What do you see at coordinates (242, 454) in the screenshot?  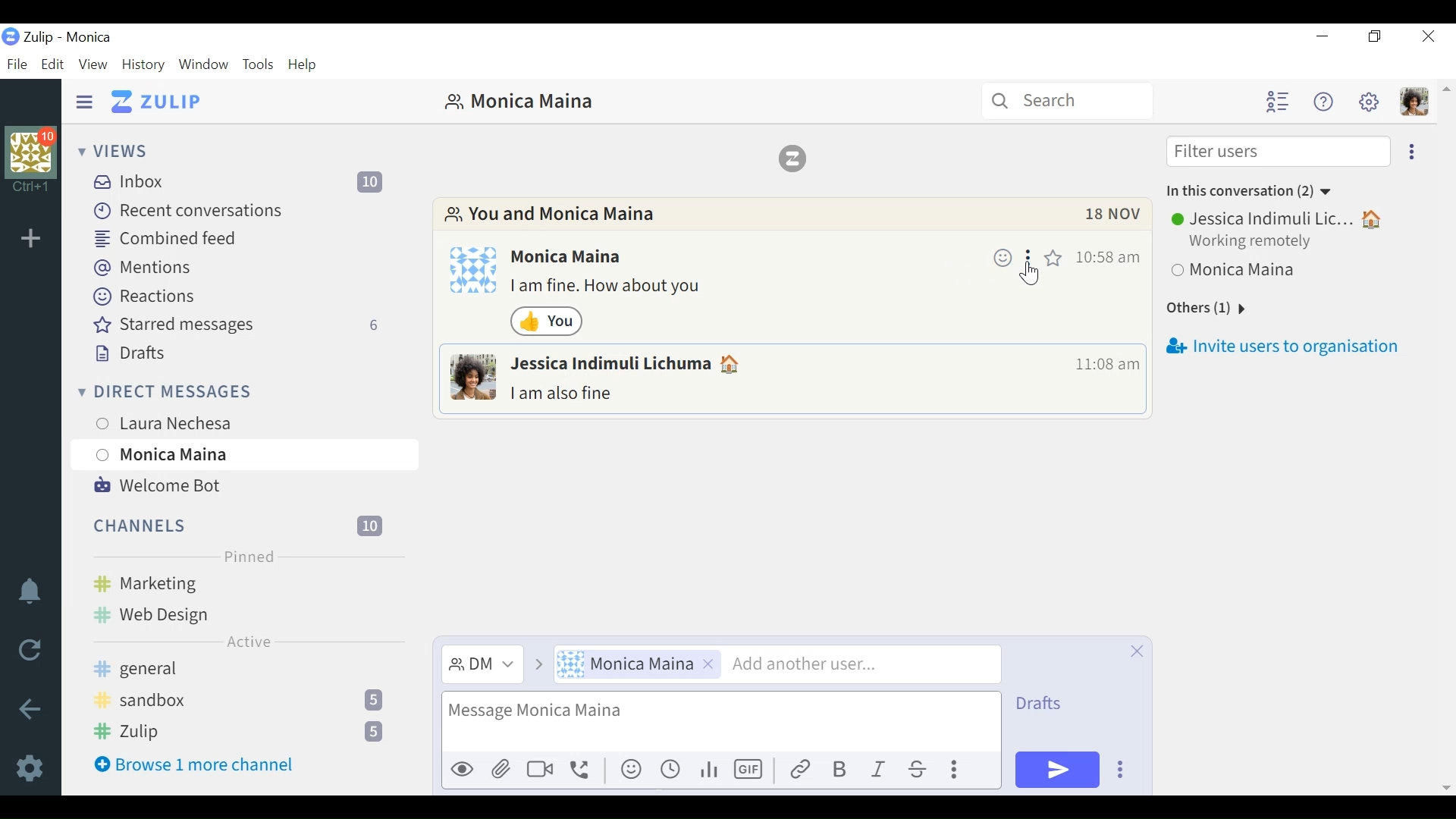 I see `Monica Maina` at bounding box center [242, 454].